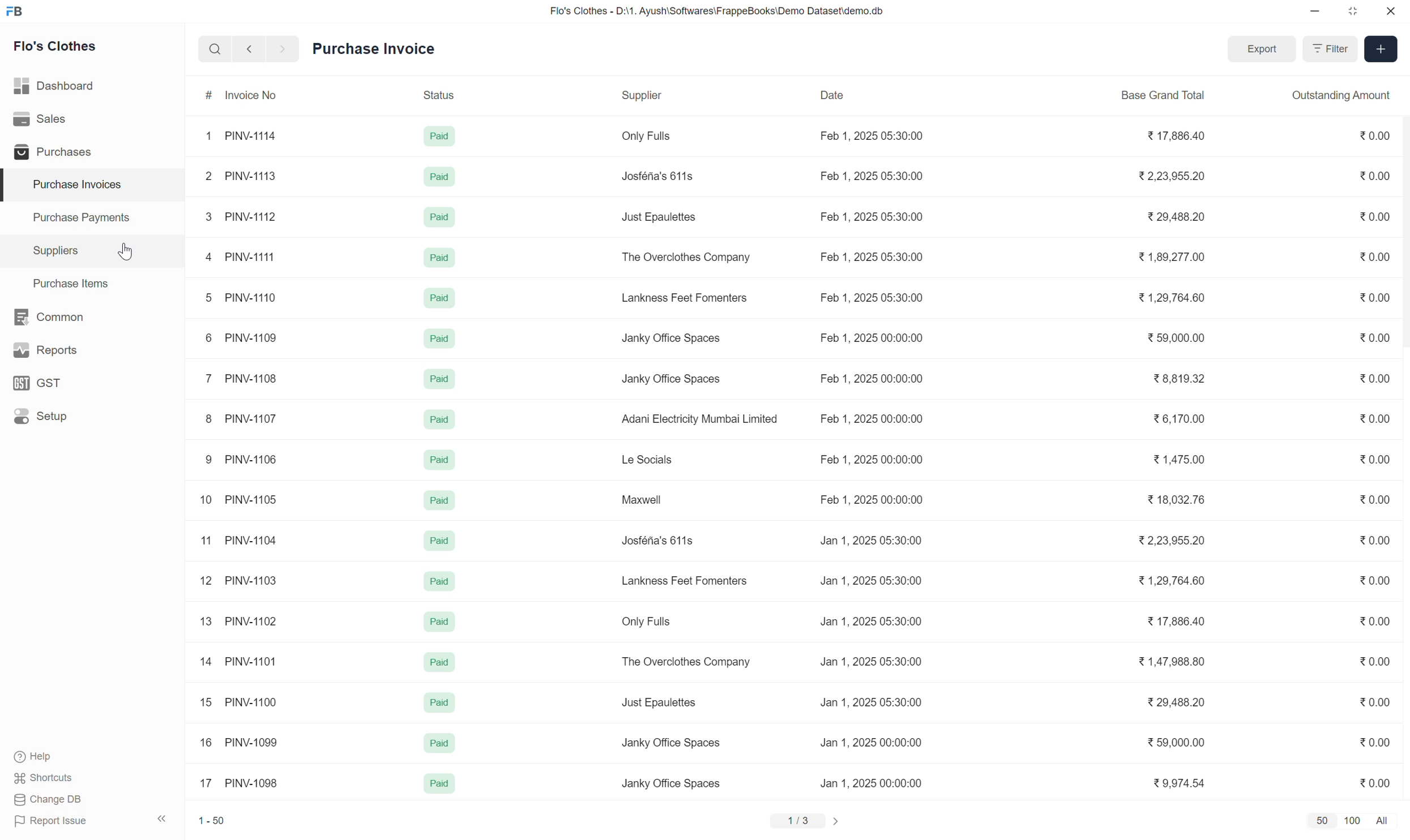 The height and width of the screenshot is (840, 1410). What do you see at coordinates (91, 185) in the screenshot?
I see `Purchase Invoices` at bounding box center [91, 185].